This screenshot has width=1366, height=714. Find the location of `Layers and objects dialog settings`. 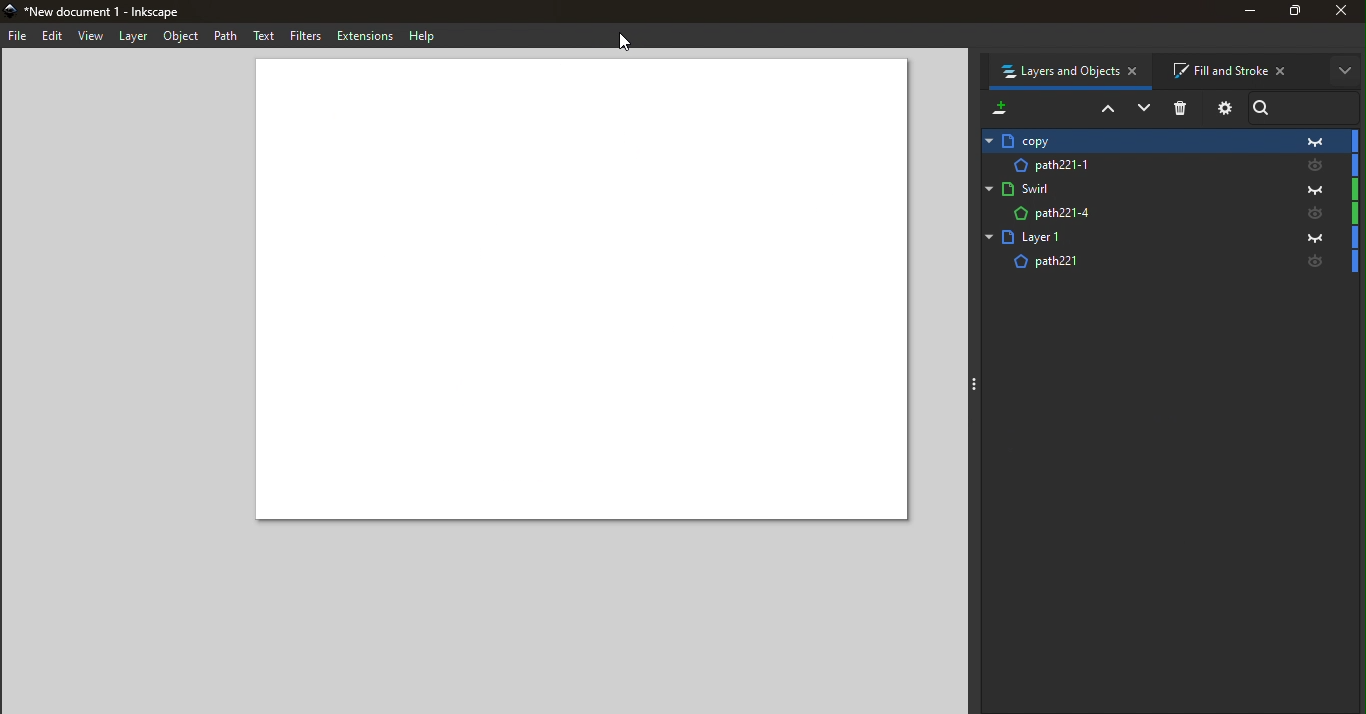

Layers and objects dialog settings is located at coordinates (1225, 109).